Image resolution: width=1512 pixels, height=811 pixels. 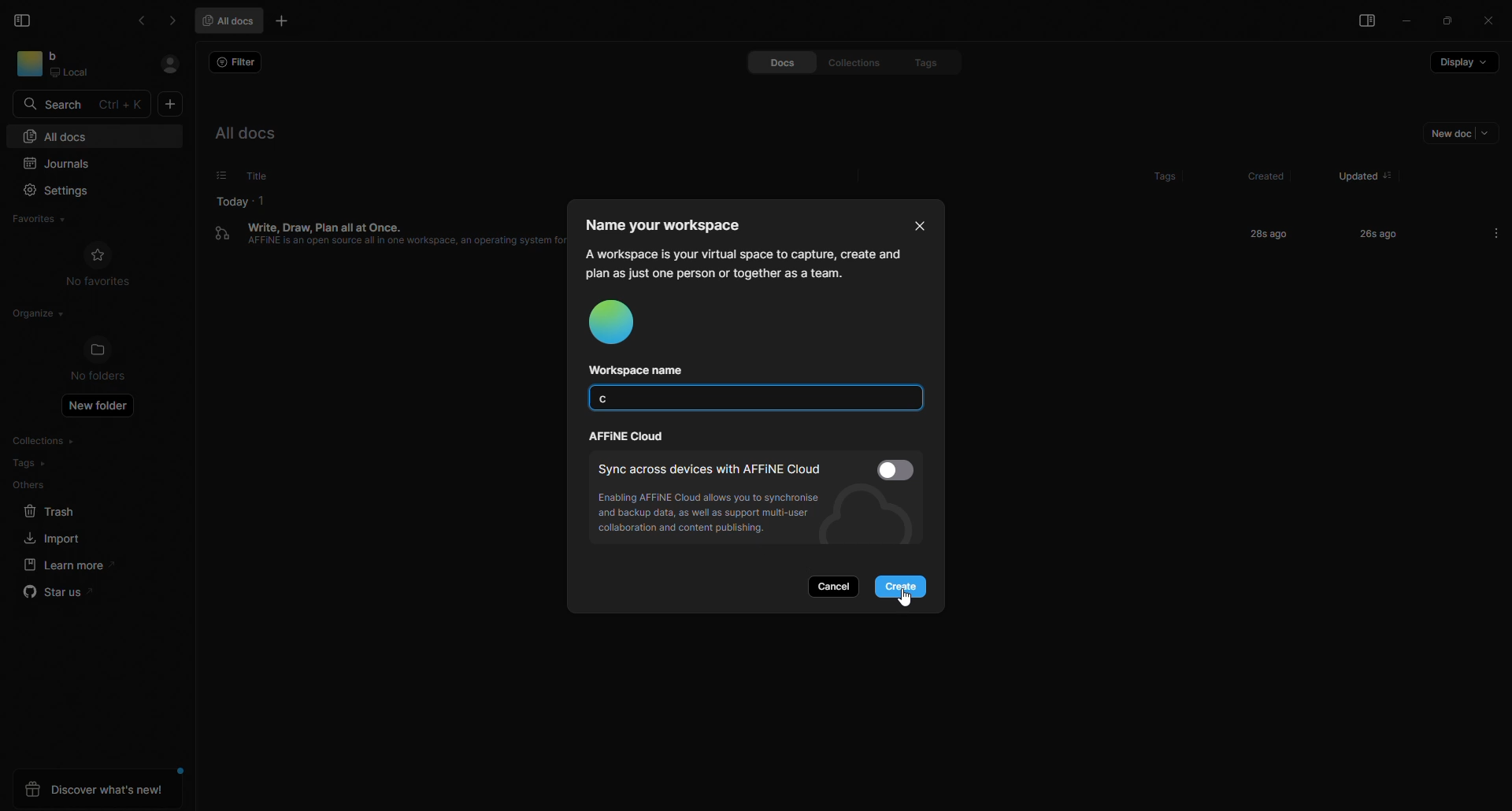 What do you see at coordinates (257, 133) in the screenshot?
I see `al docs` at bounding box center [257, 133].